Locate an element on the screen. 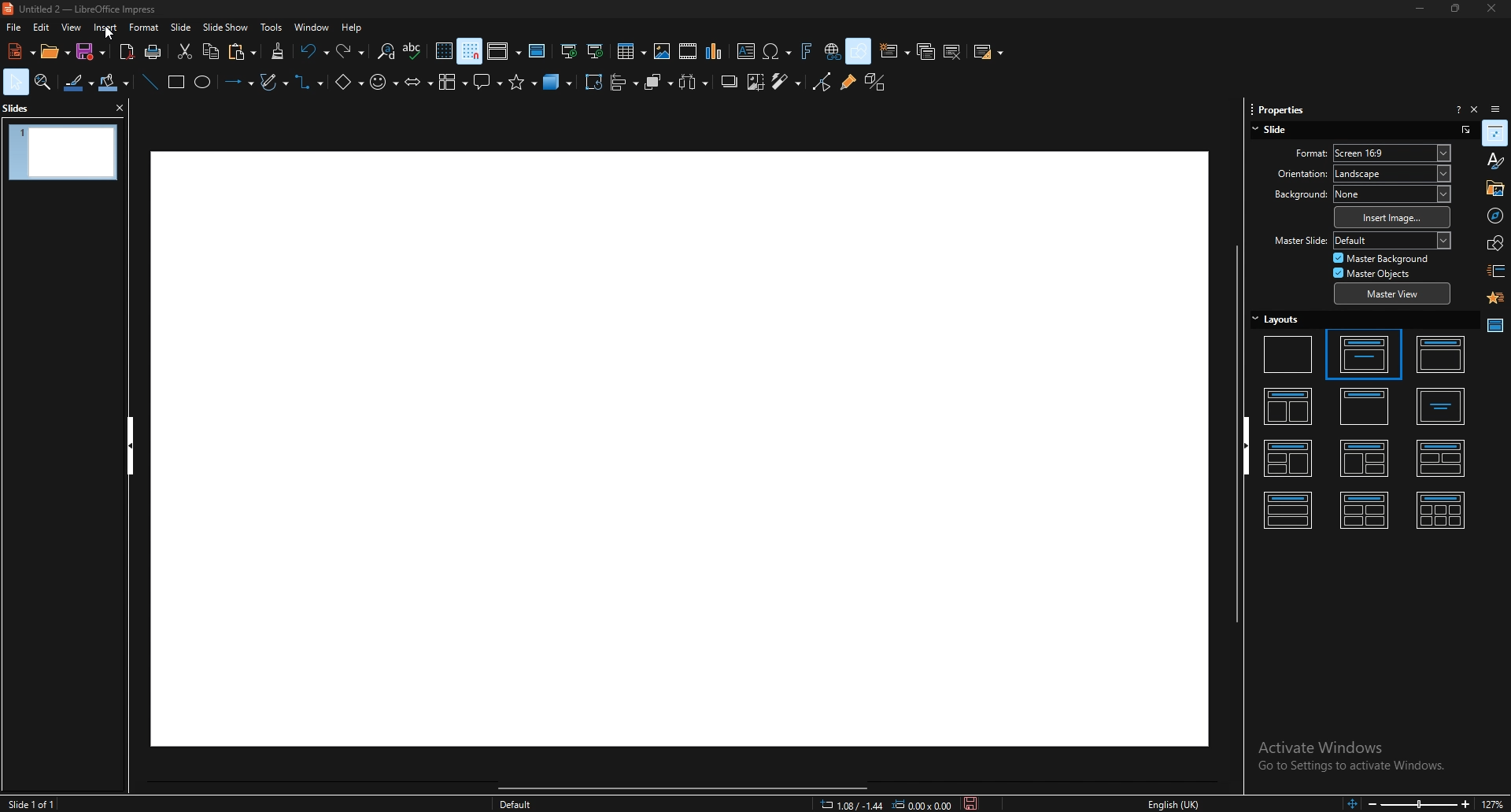 This screenshot has height=812, width=1511. insert is located at coordinates (107, 28).